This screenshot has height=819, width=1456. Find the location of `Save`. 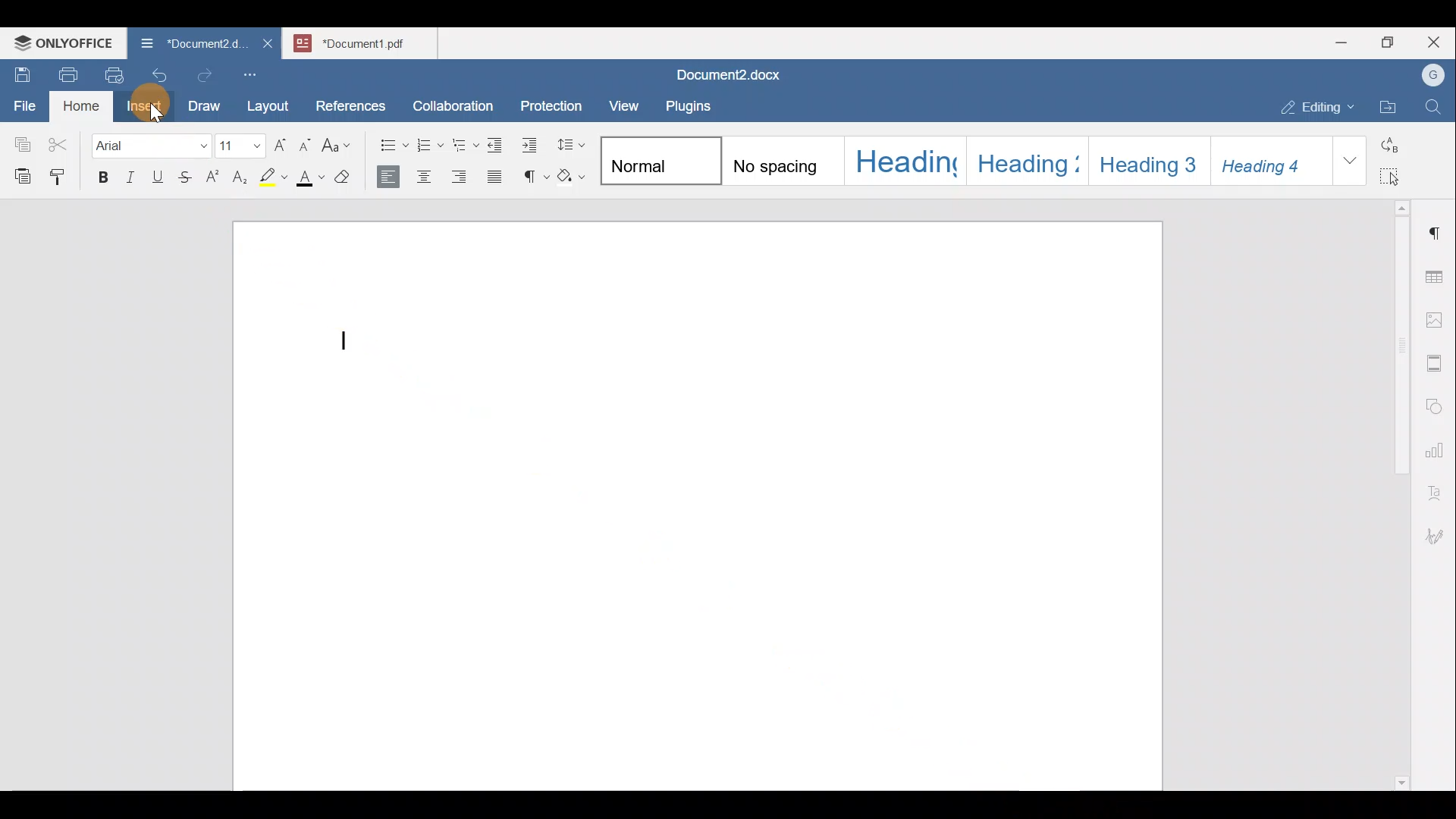

Save is located at coordinates (21, 71).